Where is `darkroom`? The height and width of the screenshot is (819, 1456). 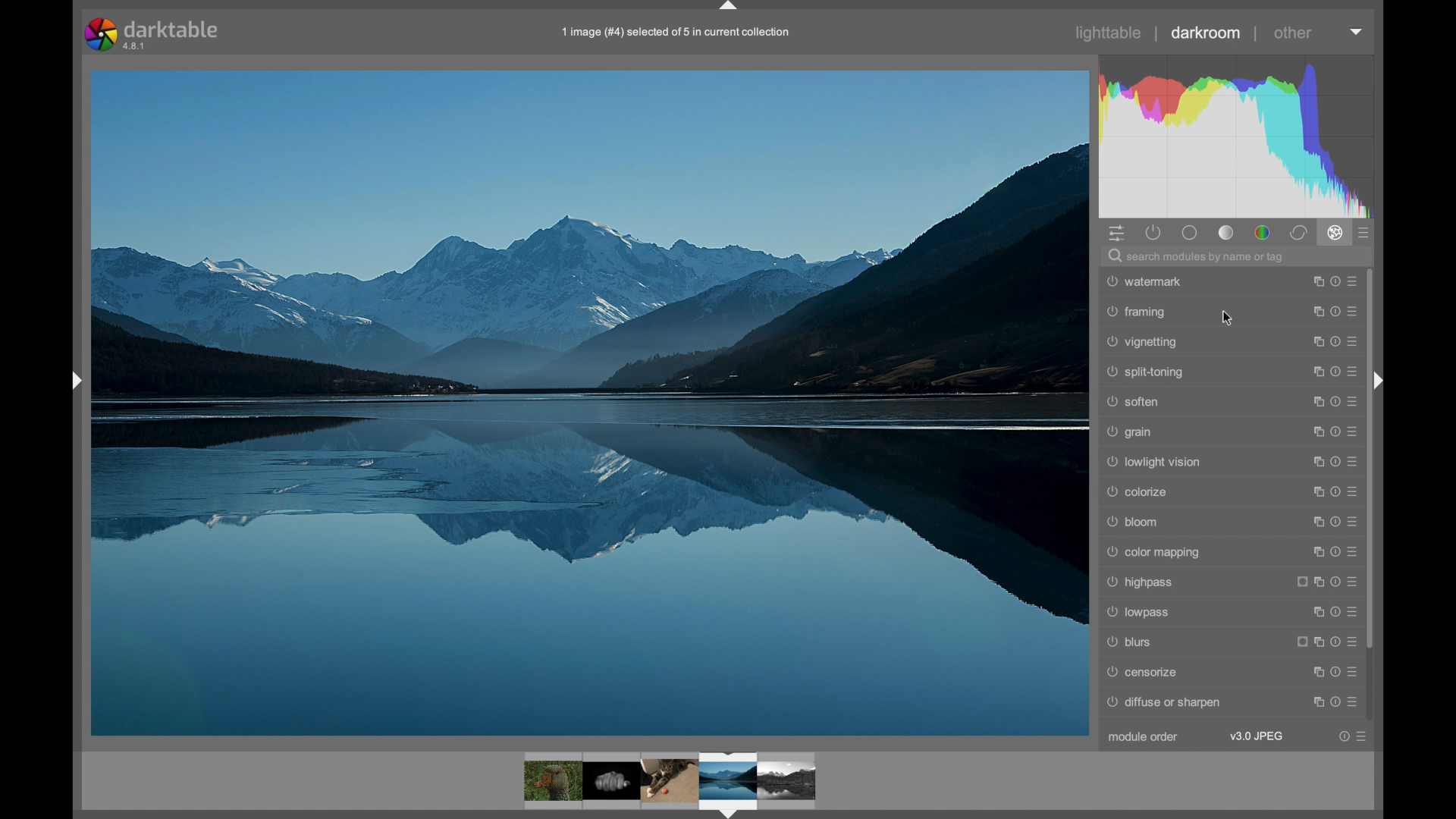
darkroom is located at coordinates (1207, 33).